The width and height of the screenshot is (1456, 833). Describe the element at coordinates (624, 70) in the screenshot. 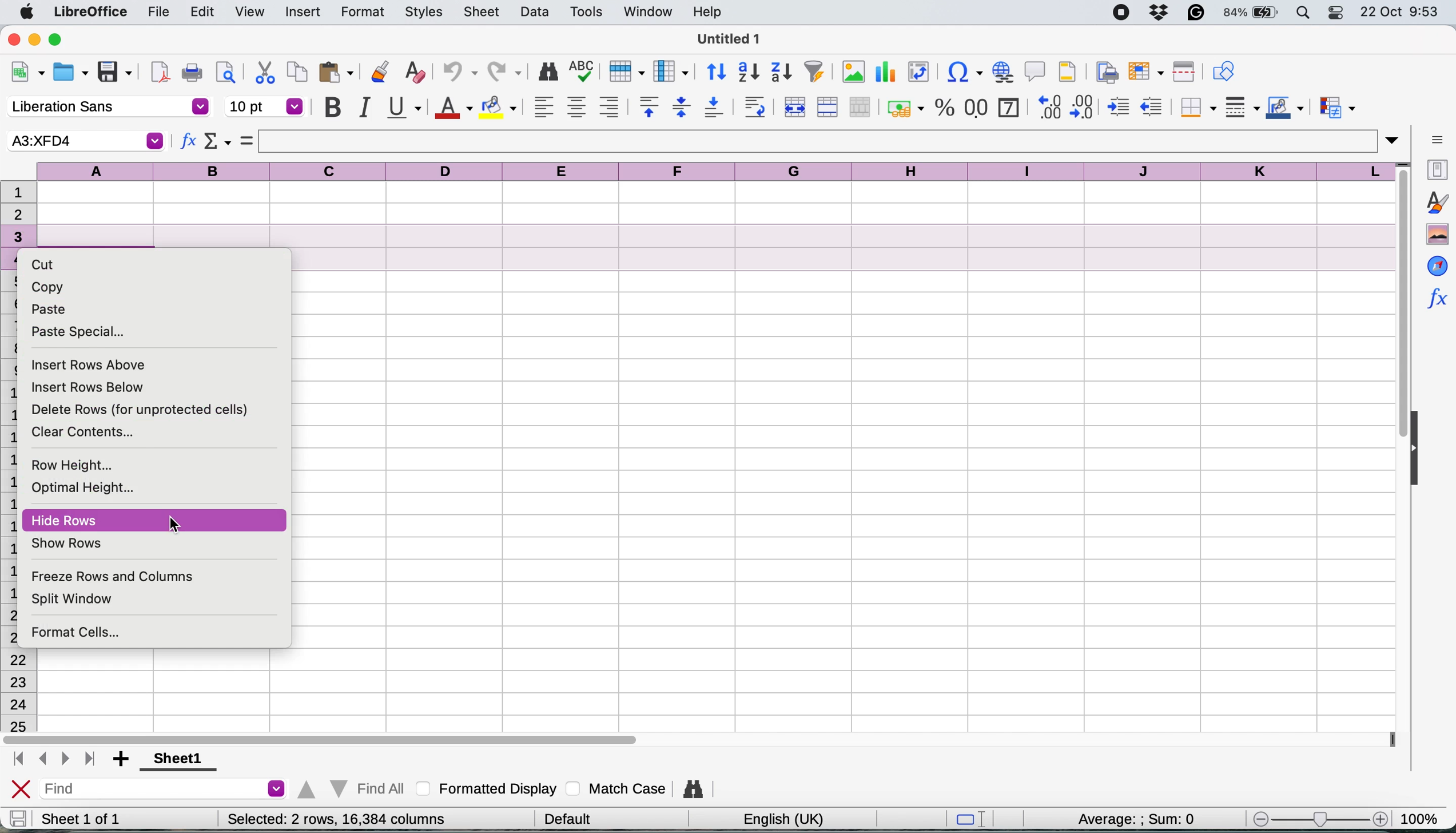

I see `row` at that location.